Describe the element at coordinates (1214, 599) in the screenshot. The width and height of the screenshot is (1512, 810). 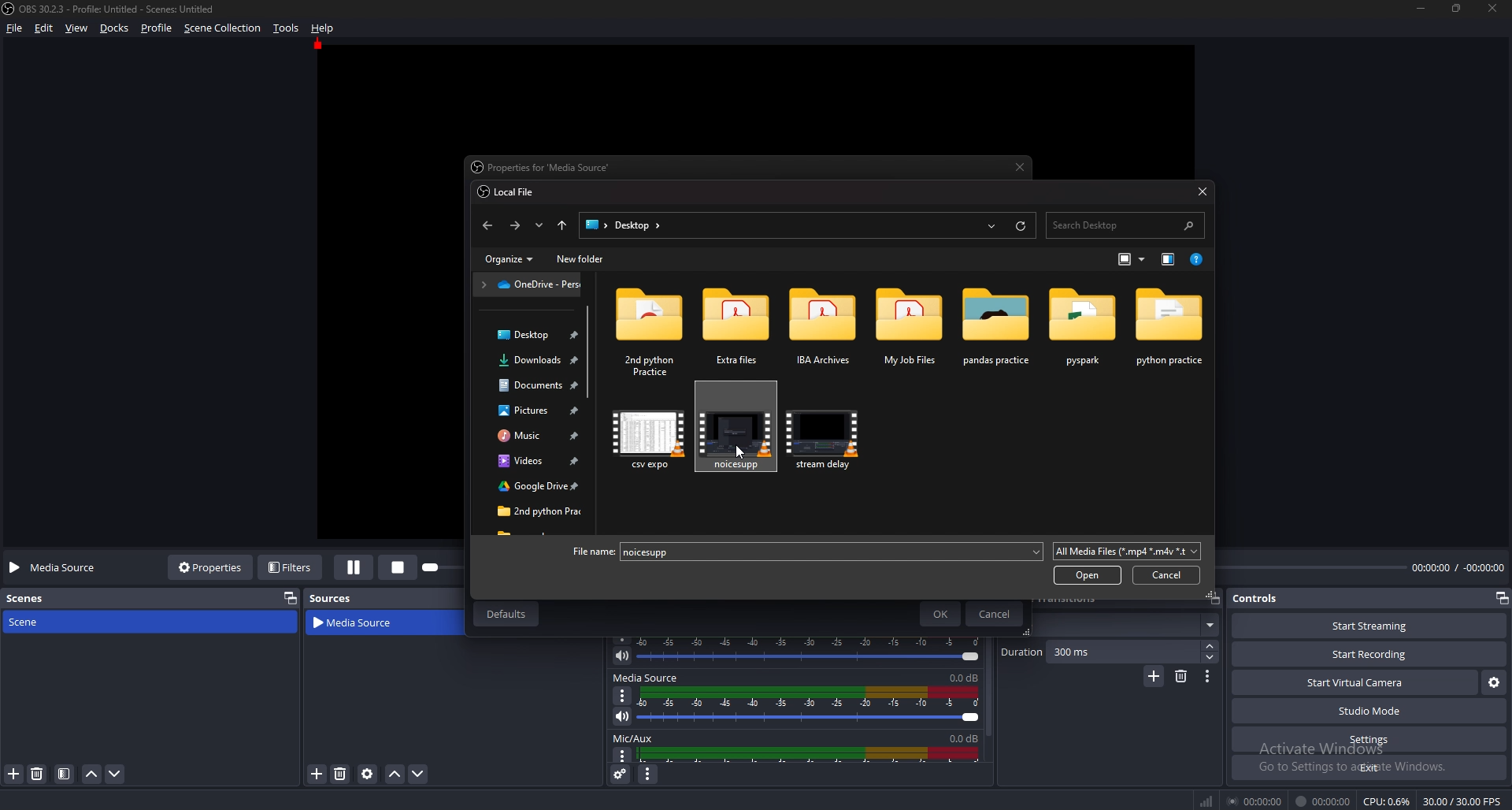
I see `Pop out` at that location.